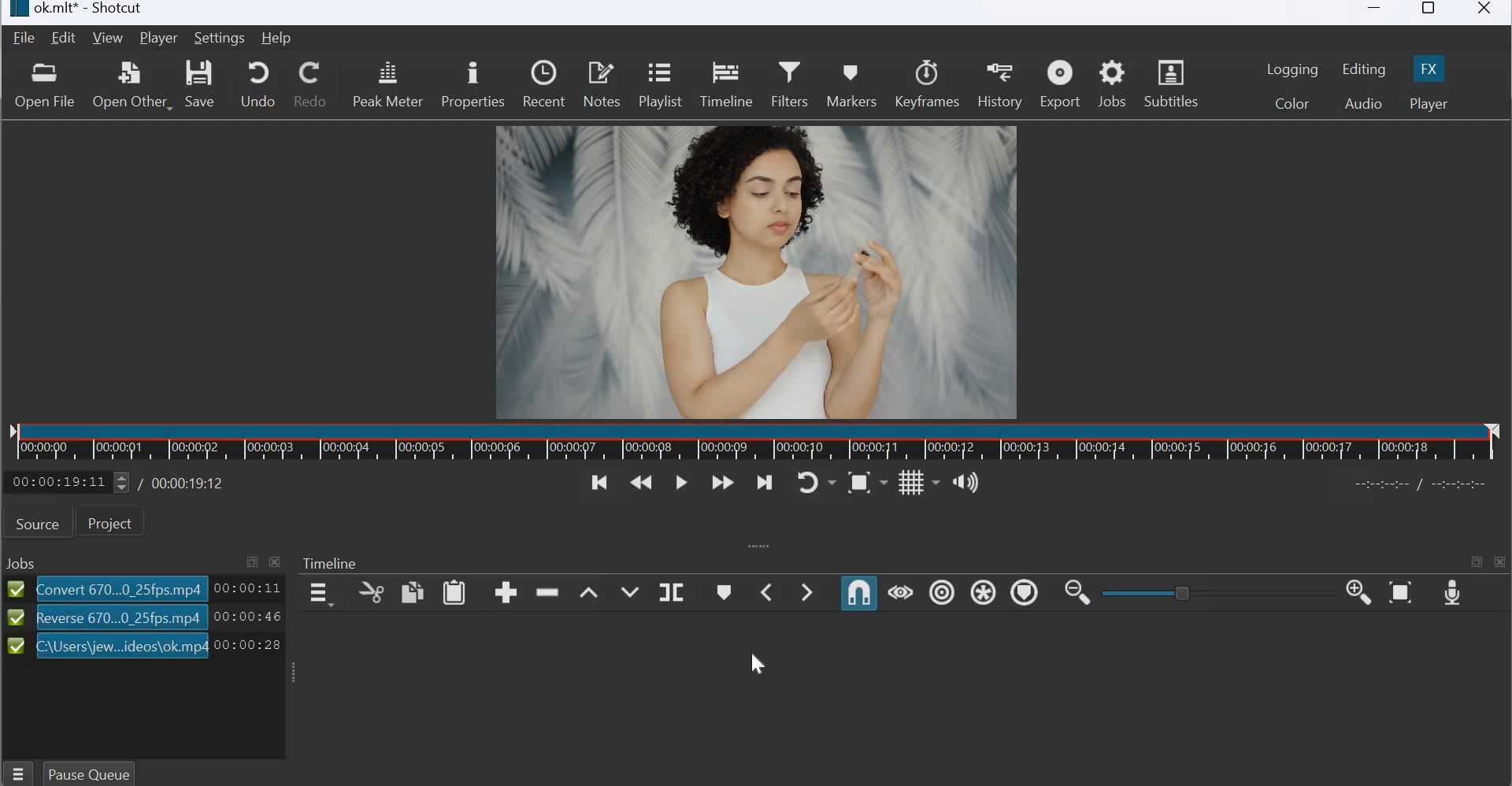 Image resolution: width=1512 pixels, height=786 pixels. What do you see at coordinates (760, 443) in the screenshot?
I see `Timeline` at bounding box center [760, 443].